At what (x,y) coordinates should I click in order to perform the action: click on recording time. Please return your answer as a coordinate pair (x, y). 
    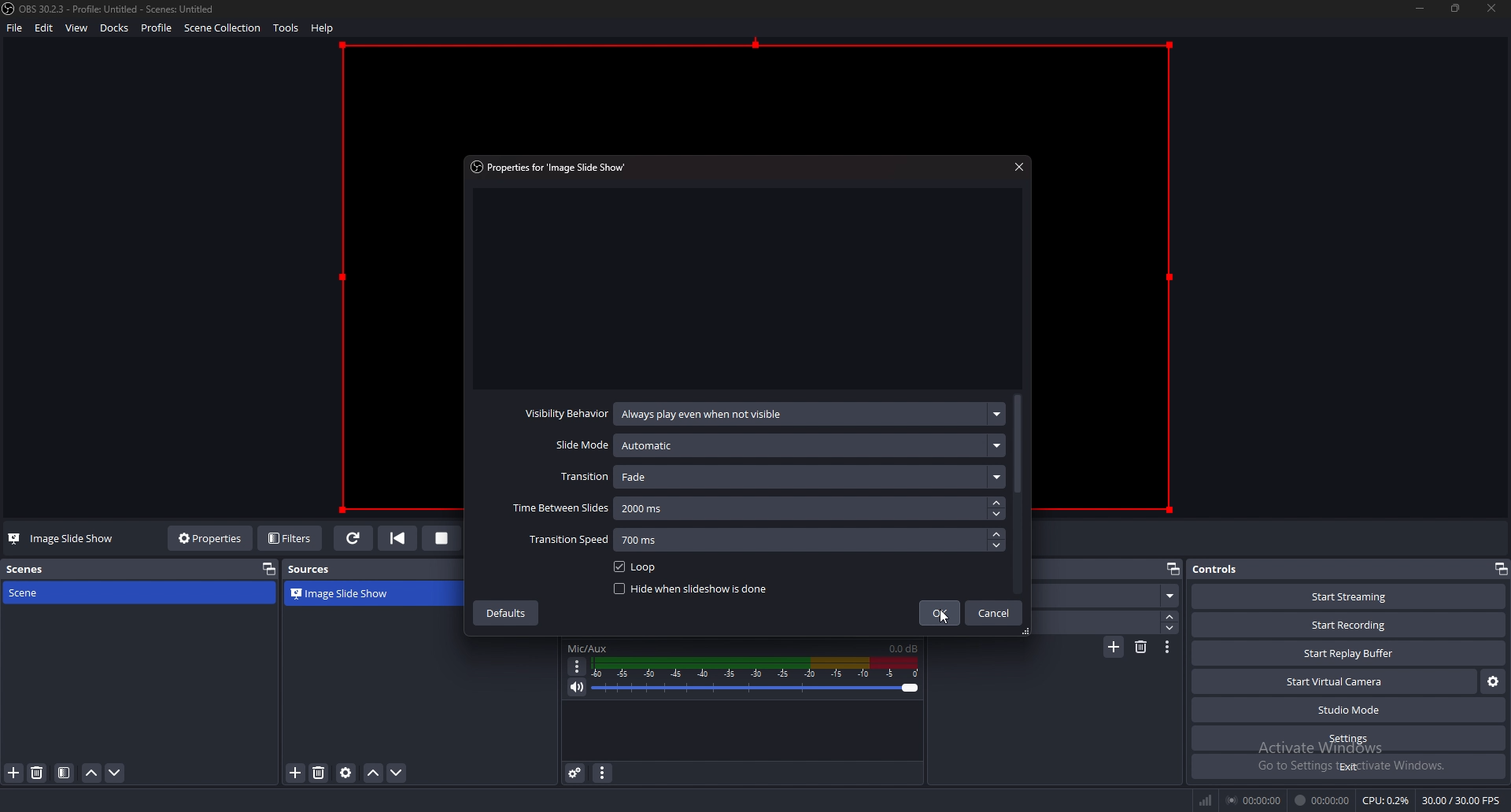
    Looking at the image, I should click on (1324, 799).